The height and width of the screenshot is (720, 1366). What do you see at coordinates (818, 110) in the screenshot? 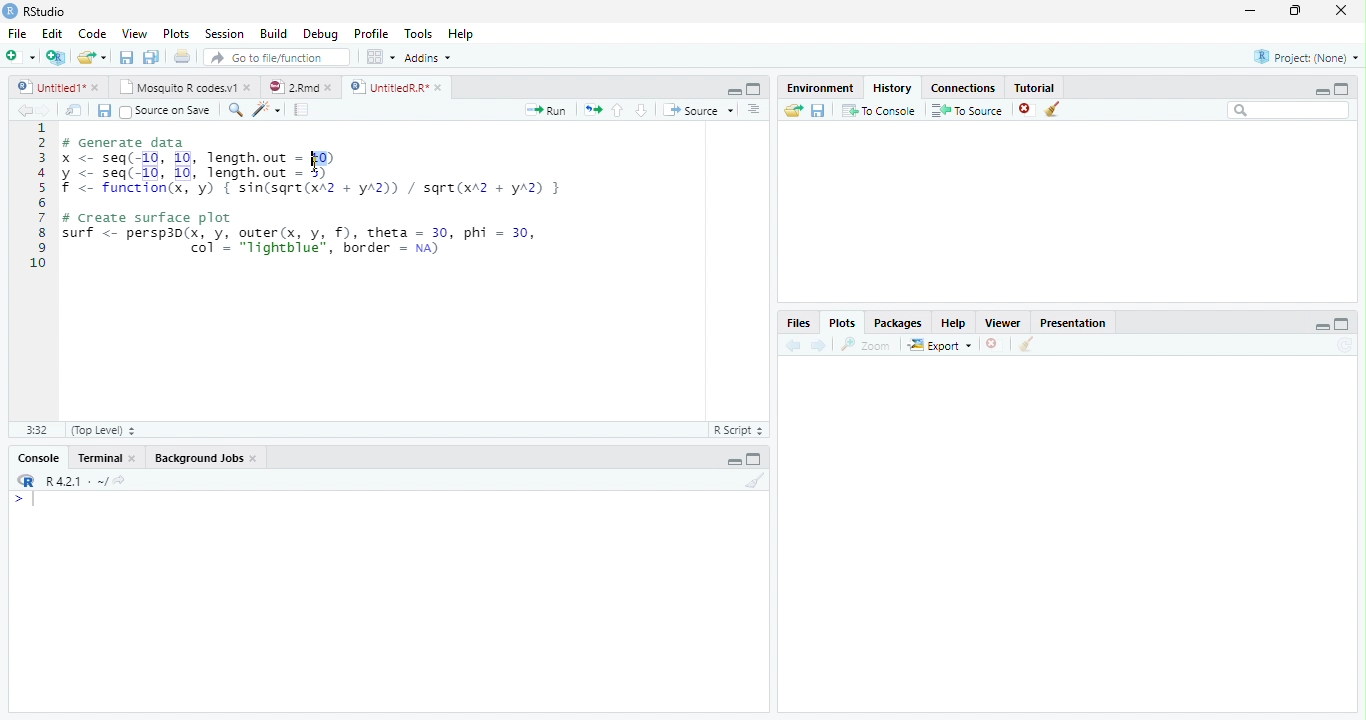
I see `Save history into a file` at bounding box center [818, 110].